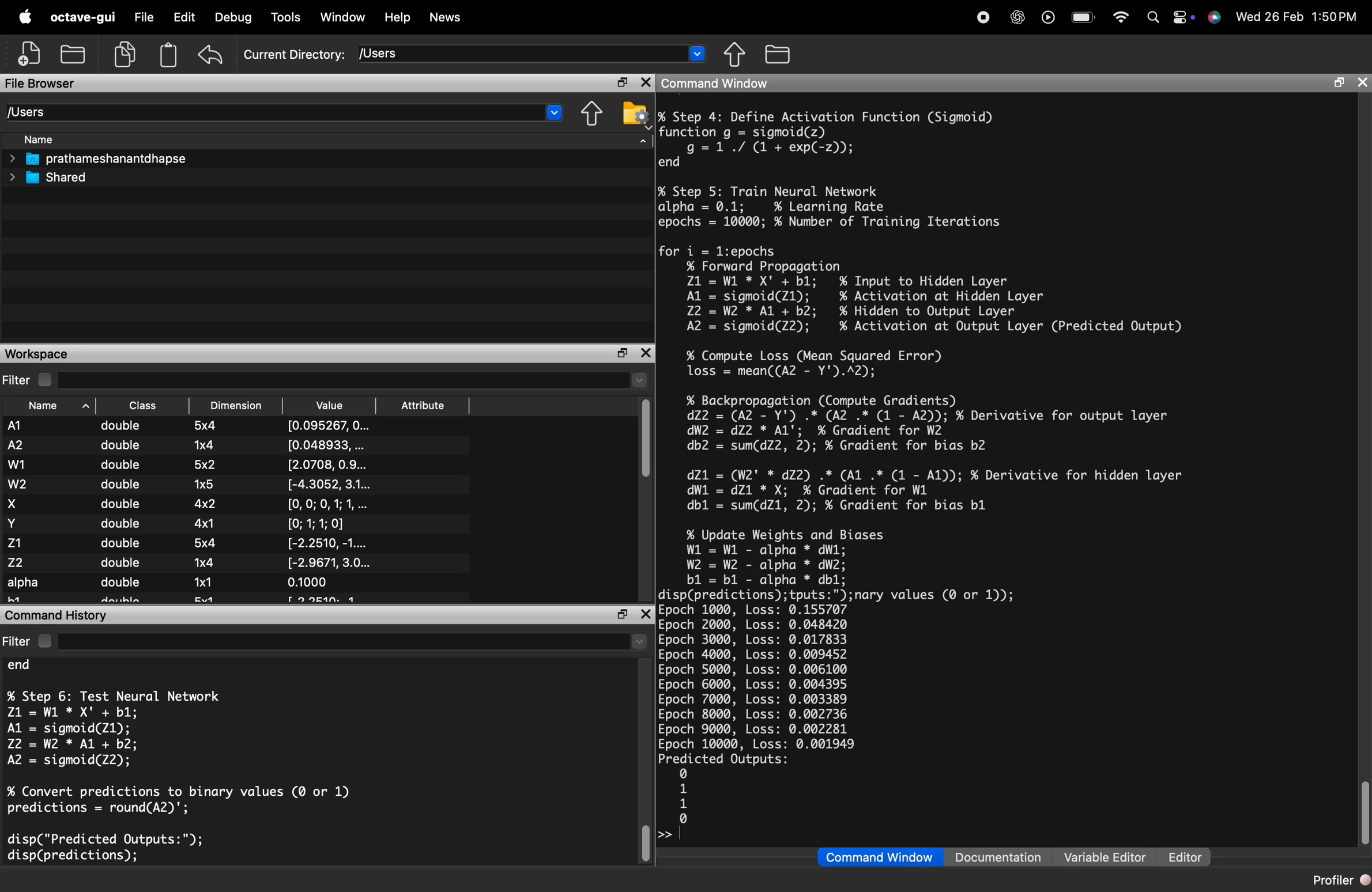 The width and height of the screenshot is (1372, 892). What do you see at coordinates (19, 485) in the screenshot?
I see `W2` at bounding box center [19, 485].